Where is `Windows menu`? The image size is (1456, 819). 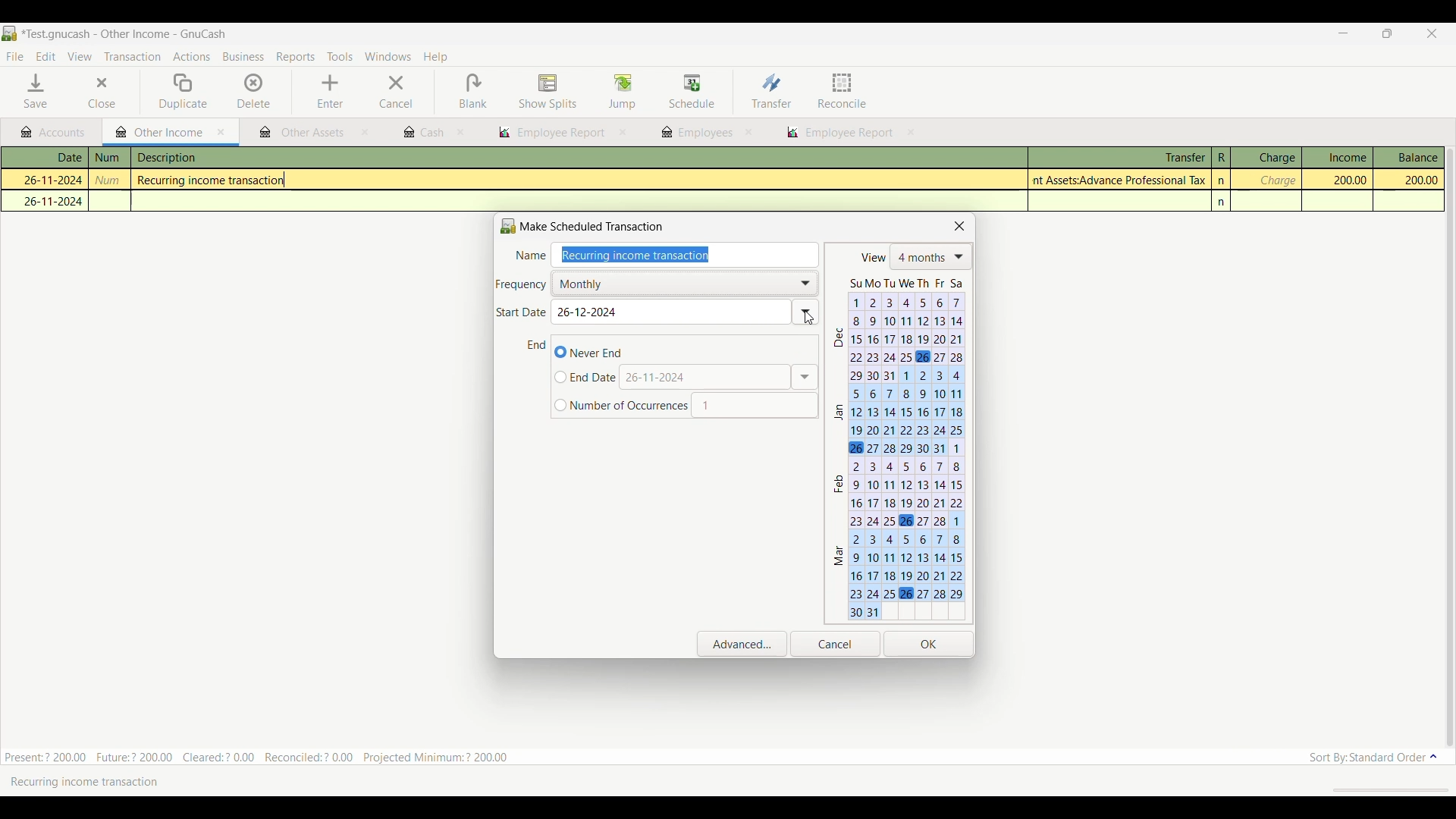 Windows menu is located at coordinates (388, 57).